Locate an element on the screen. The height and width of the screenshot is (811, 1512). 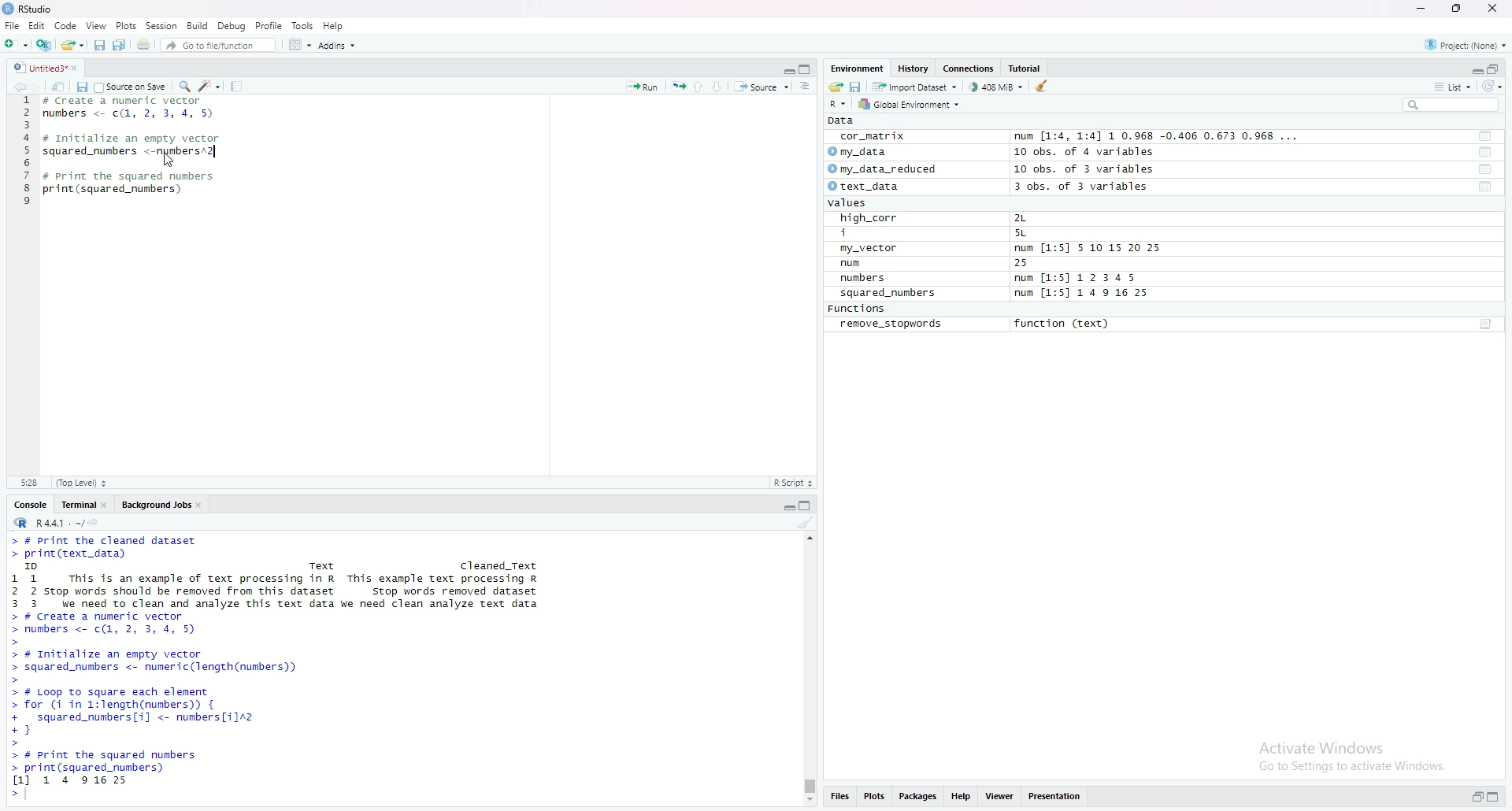
view the current working directory is located at coordinates (94, 521).